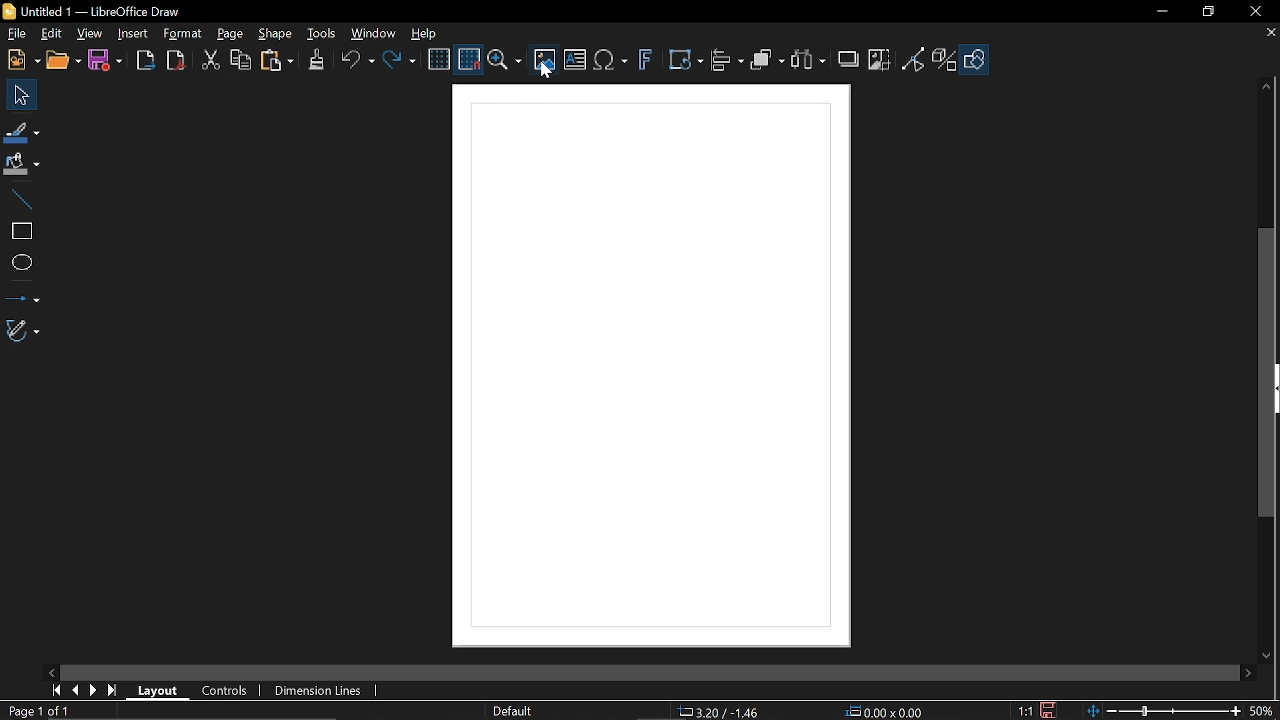 The width and height of the screenshot is (1280, 720). Describe the element at coordinates (651, 368) in the screenshot. I see `frame` at that location.